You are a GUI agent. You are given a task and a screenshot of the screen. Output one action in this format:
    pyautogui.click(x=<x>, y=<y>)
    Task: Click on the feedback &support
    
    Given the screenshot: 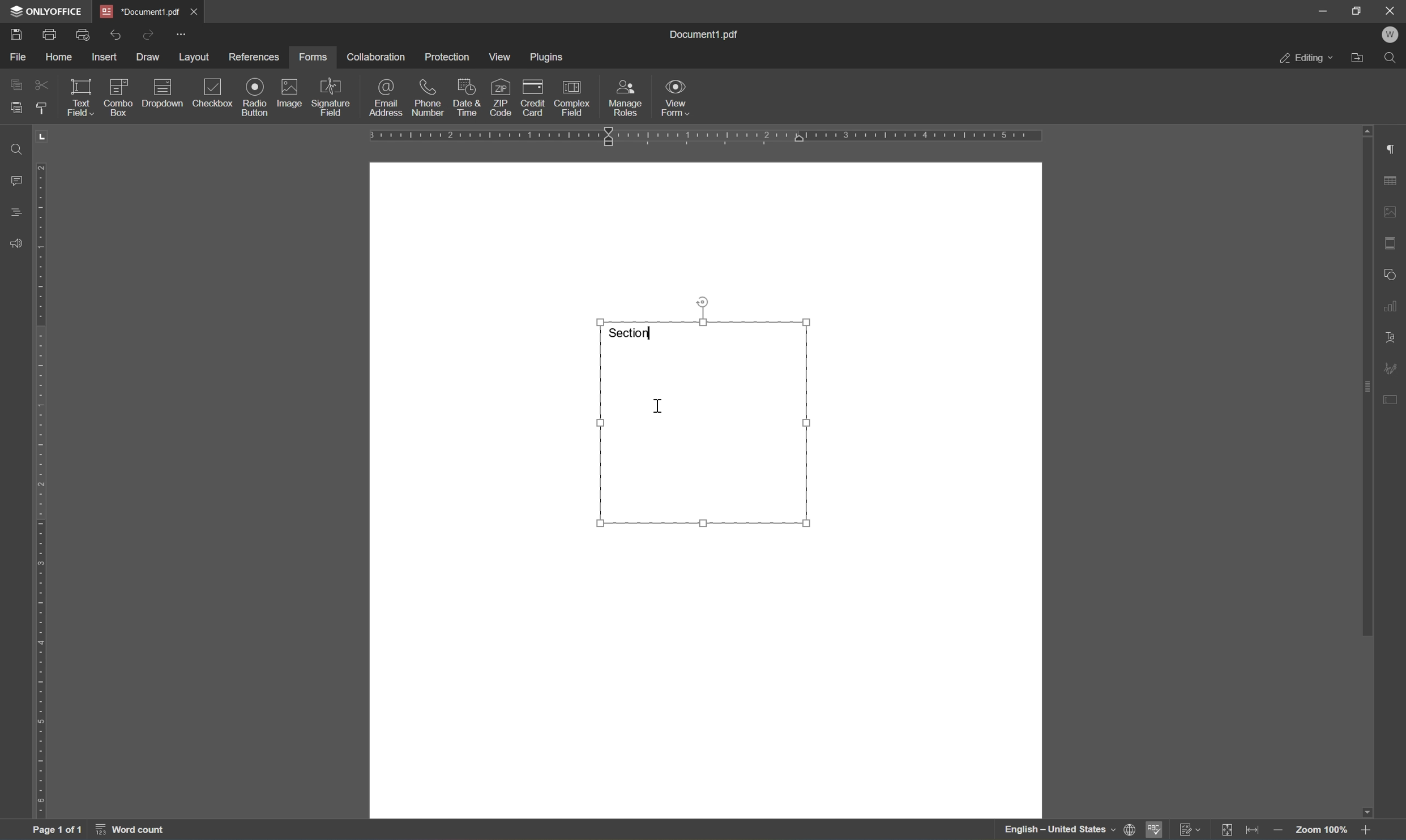 What is the action you would take?
    pyautogui.click(x=17, y=242)
    